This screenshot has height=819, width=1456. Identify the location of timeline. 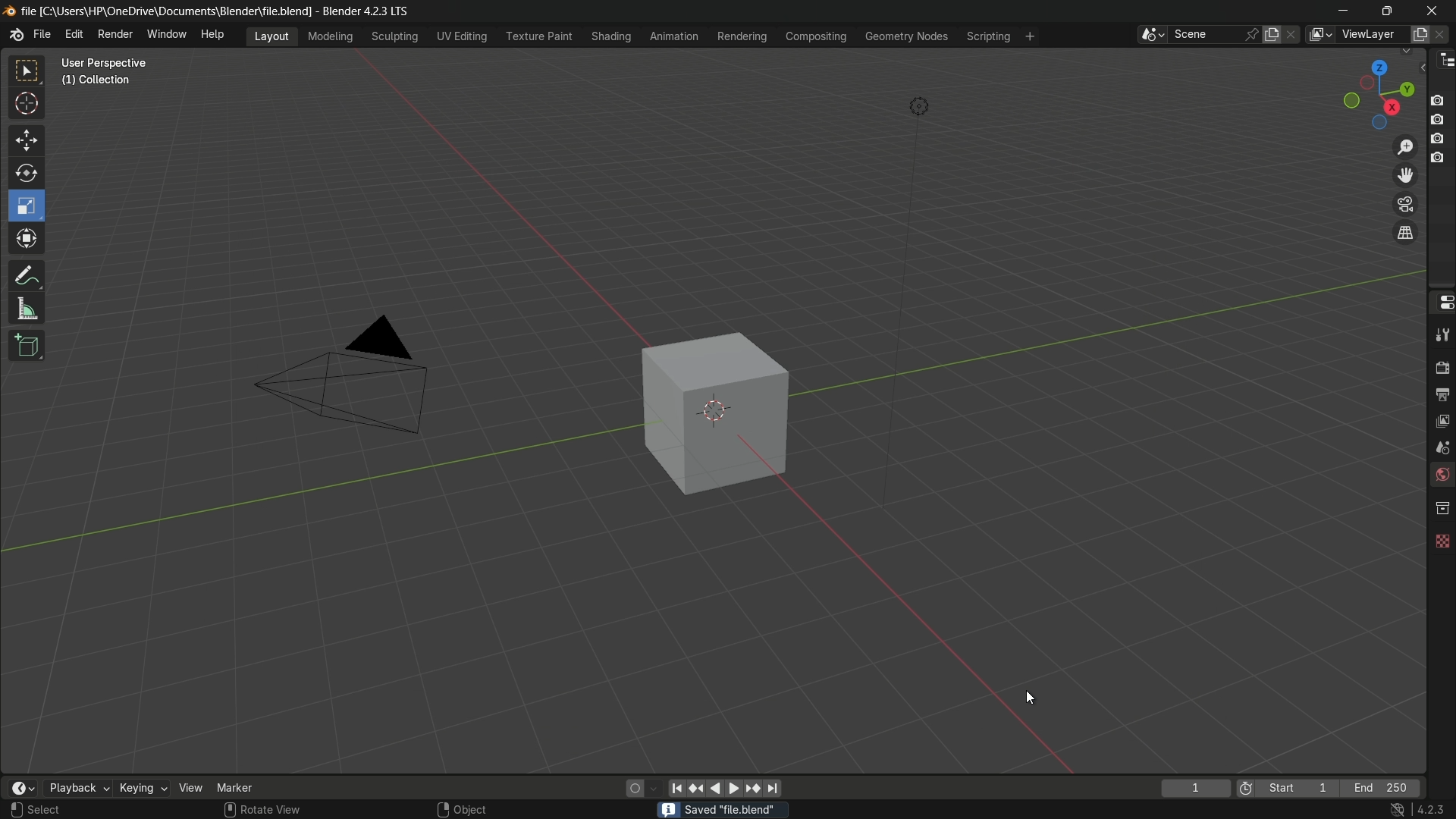
(22, 788).